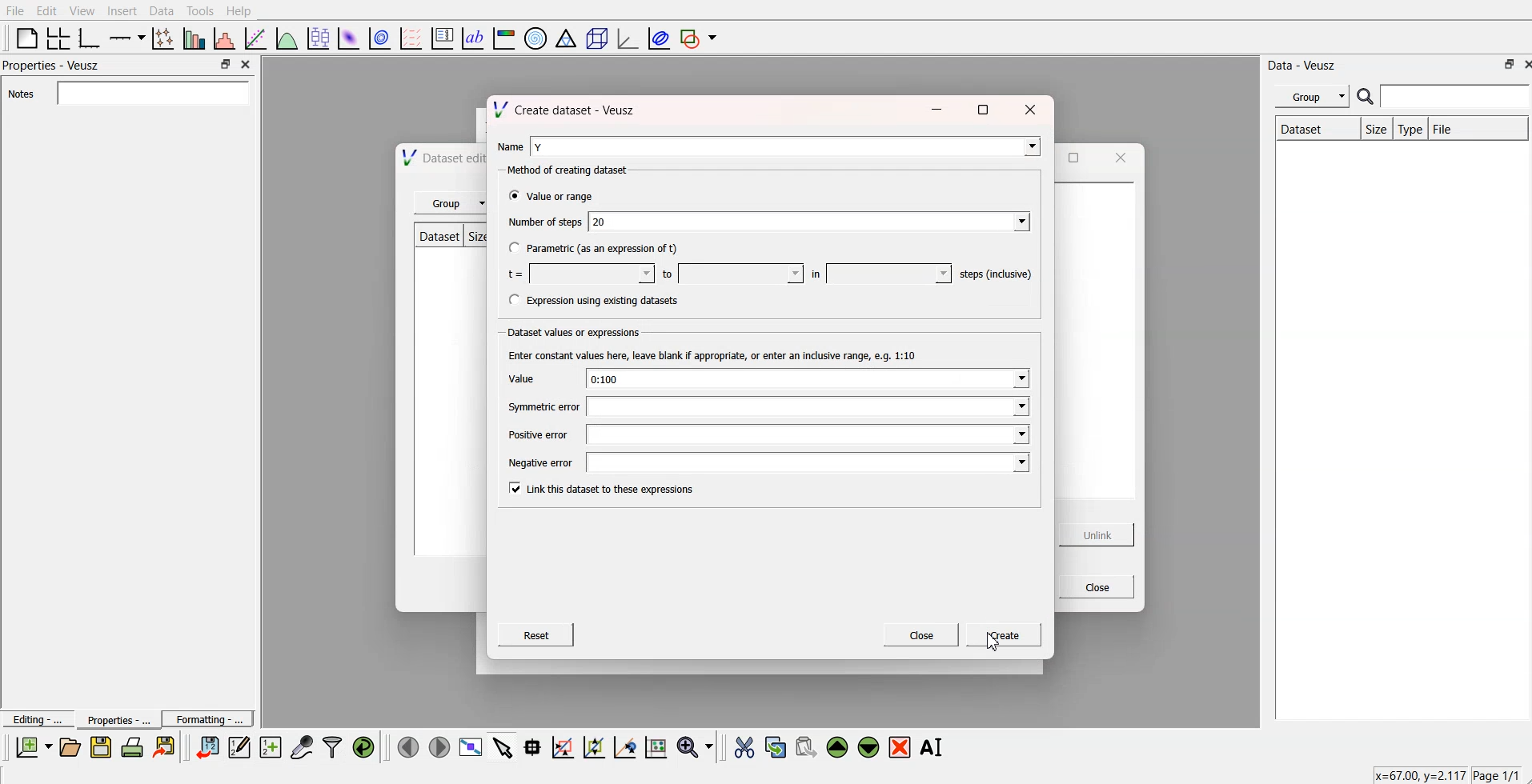  Describe the element at coordinates (777, 744) in the screenshot. I see `copy` at that location.